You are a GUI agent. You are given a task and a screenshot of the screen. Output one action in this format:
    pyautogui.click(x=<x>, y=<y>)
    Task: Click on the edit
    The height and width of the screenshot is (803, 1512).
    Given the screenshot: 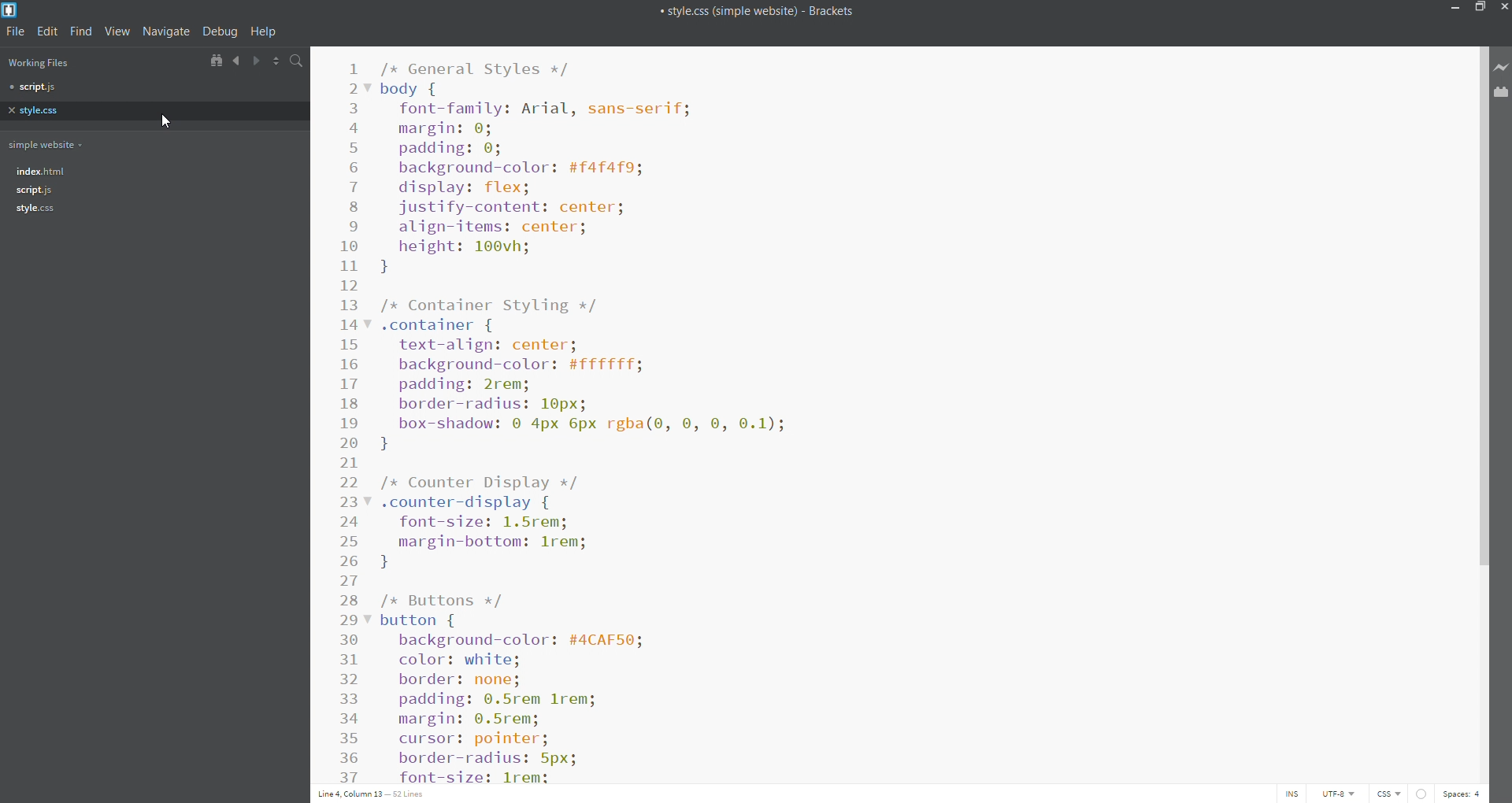 What is the action you would take?
    pyautogui.click(x=50, y=32)
    